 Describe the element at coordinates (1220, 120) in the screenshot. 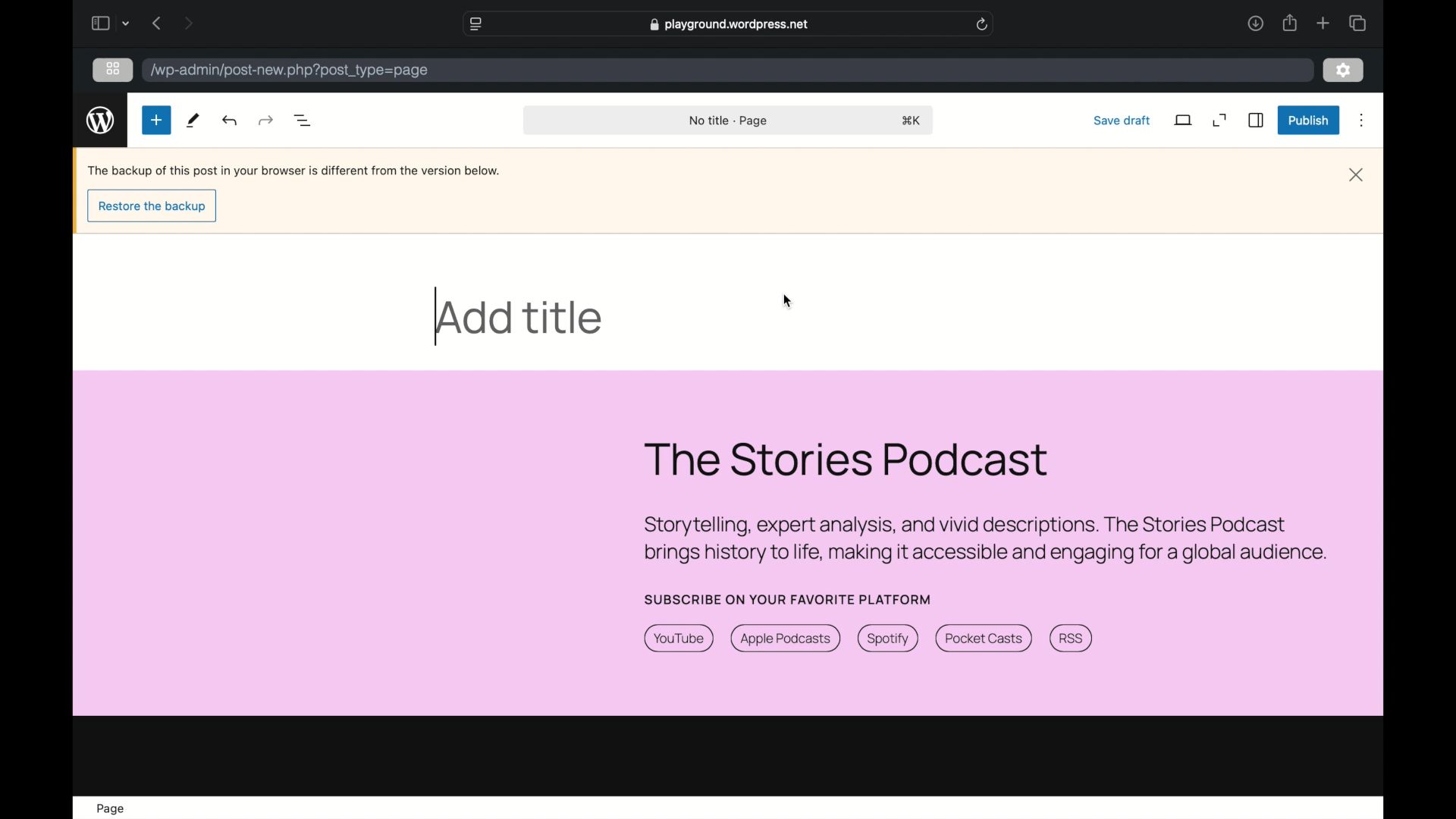

I see `expand` at that location.